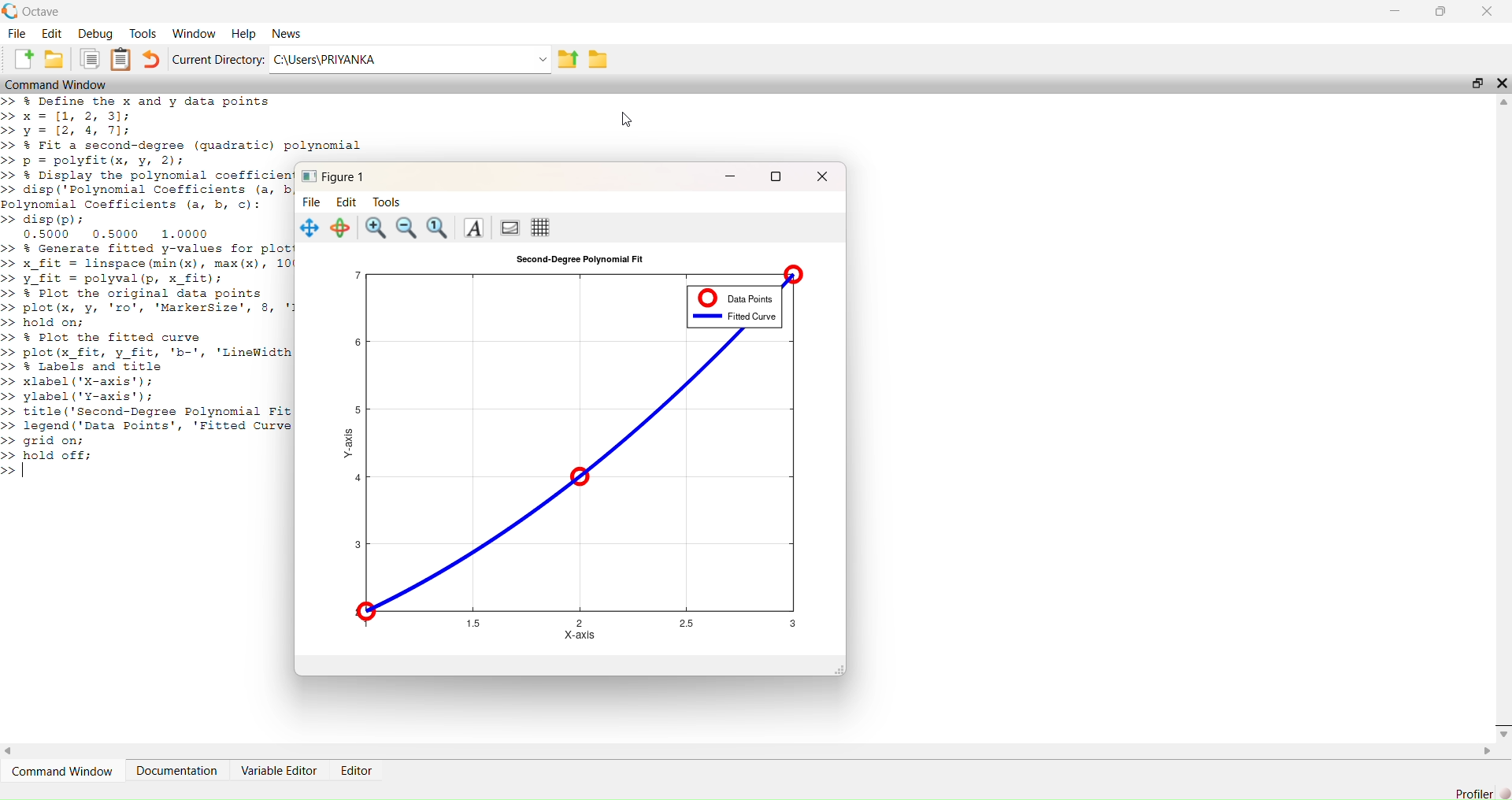  I want to click on Close, so click(1503, 728).